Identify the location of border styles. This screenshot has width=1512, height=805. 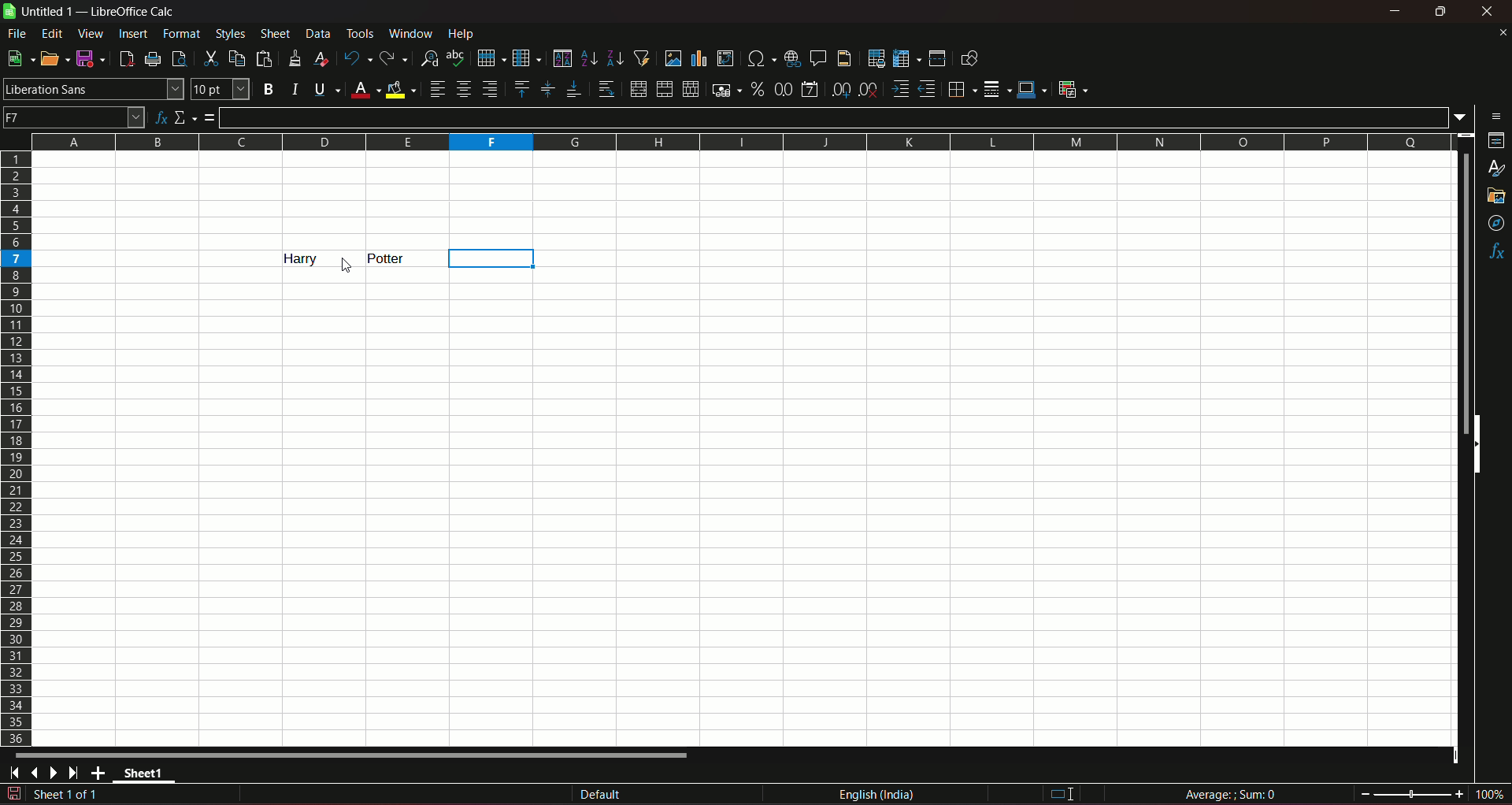
(995, 90).